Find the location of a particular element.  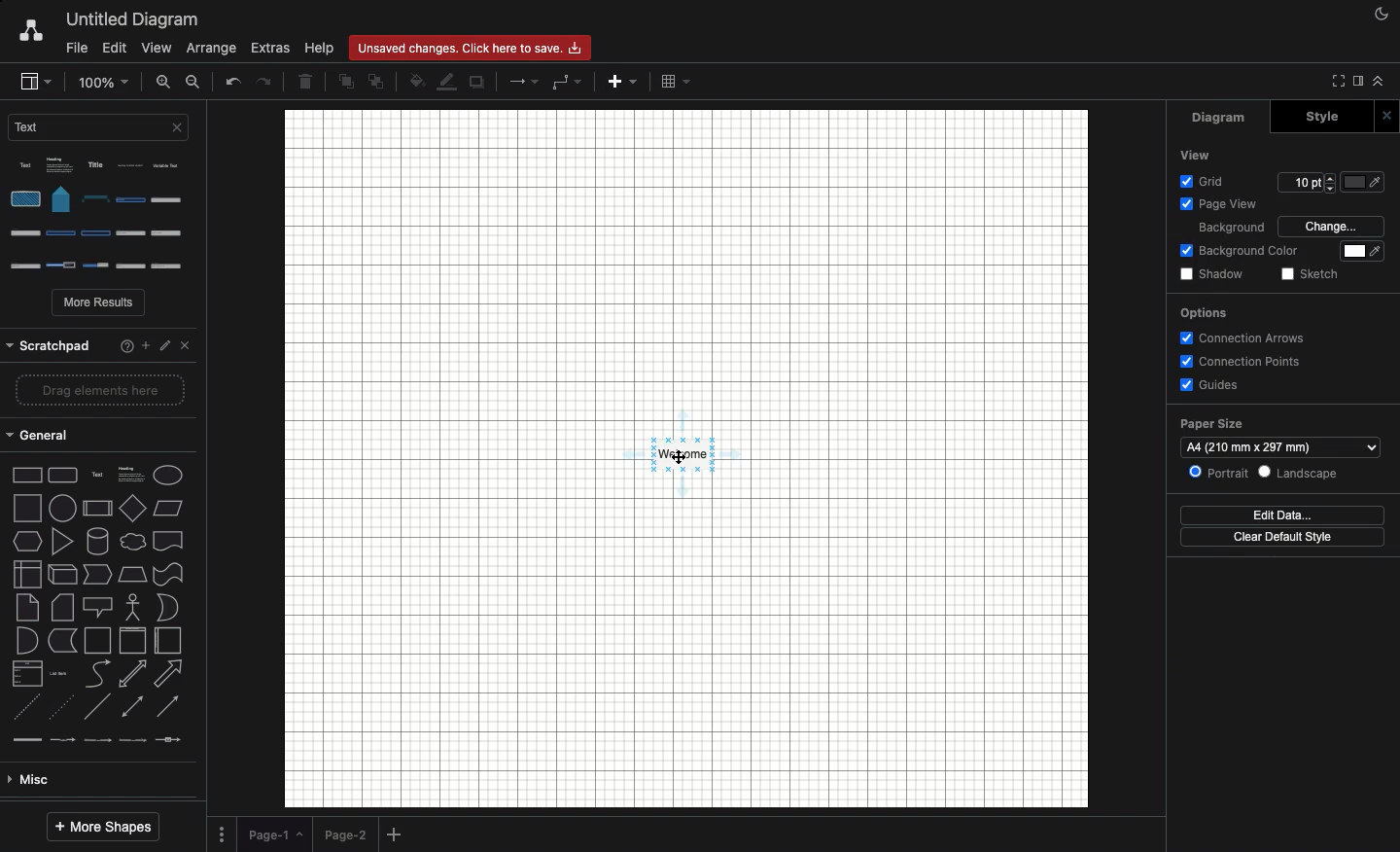

More results is located at coordinates (100, 304).